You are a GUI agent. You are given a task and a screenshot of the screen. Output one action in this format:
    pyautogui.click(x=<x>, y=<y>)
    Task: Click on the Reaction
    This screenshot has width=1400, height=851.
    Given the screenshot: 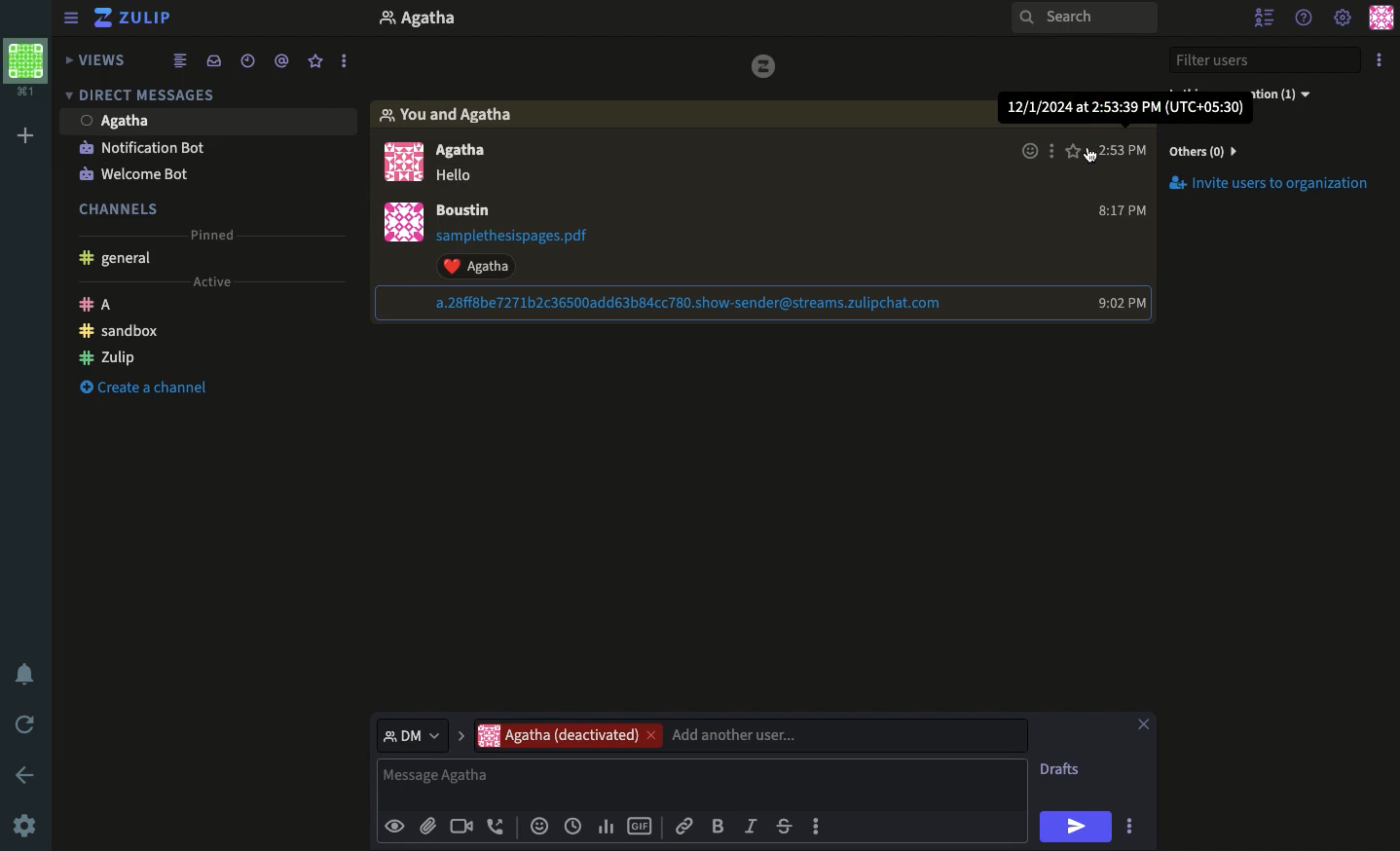 What is the action you would take?
    pyautogui.click(x=1030, y=152)
    